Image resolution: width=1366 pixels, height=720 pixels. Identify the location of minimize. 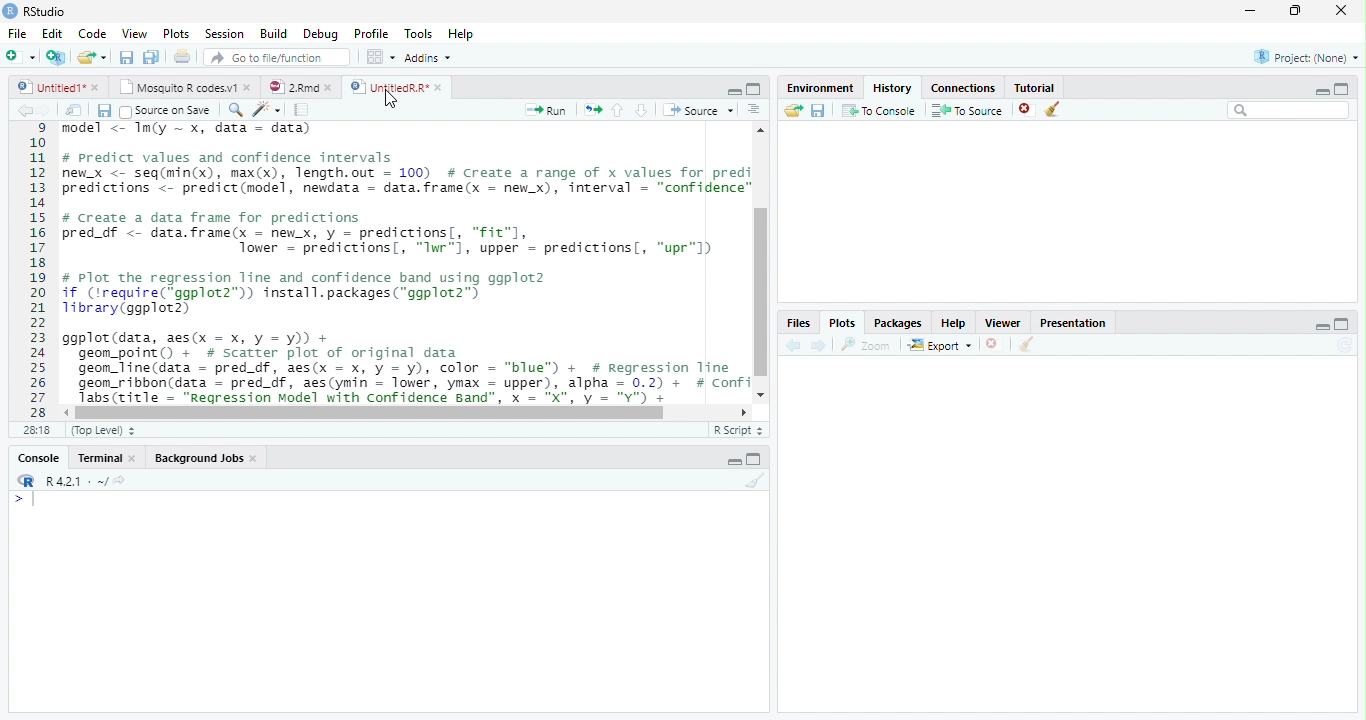
(734, 93).